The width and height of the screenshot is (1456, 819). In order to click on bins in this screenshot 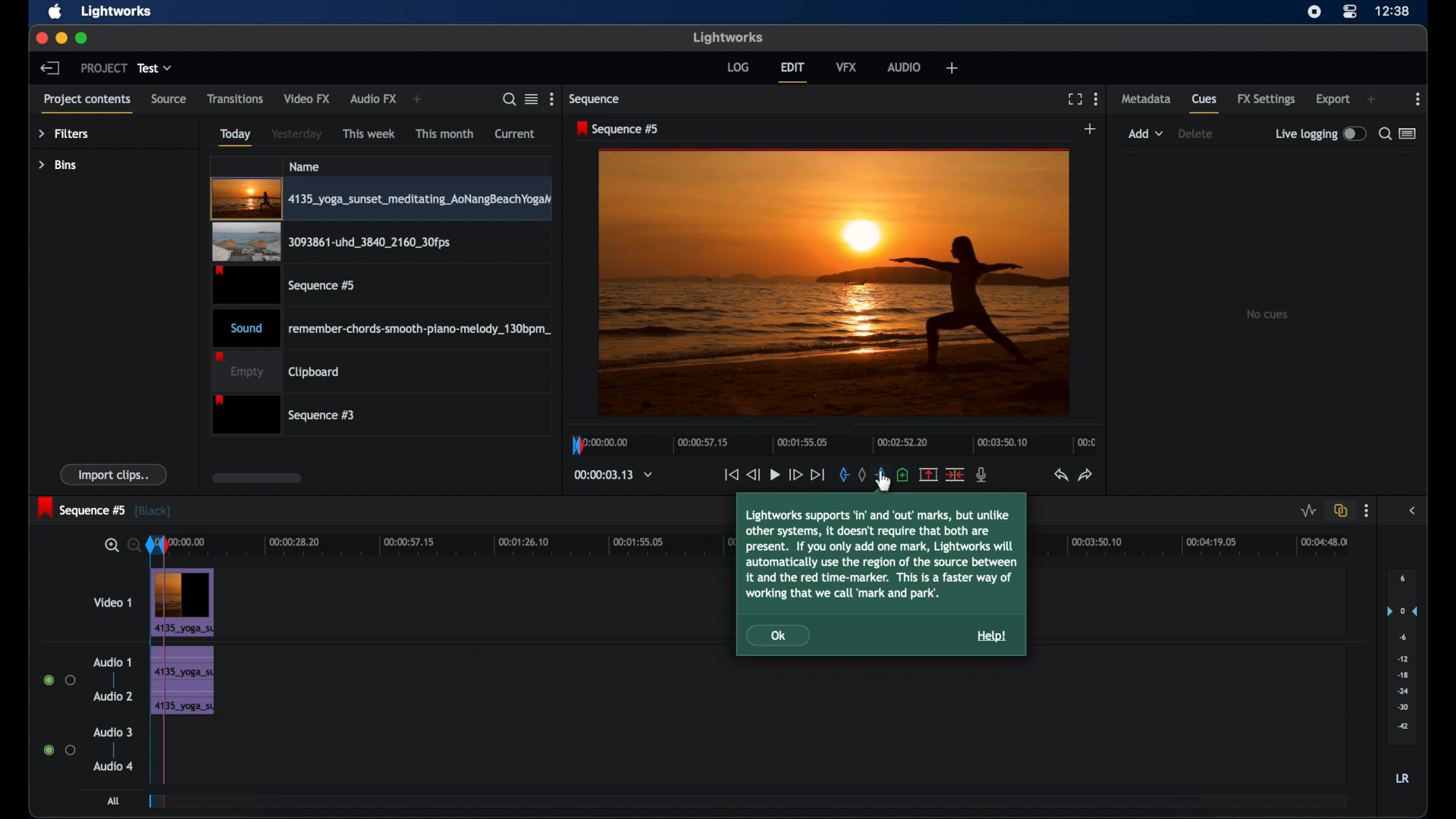, I will do `click(58, 165)`.